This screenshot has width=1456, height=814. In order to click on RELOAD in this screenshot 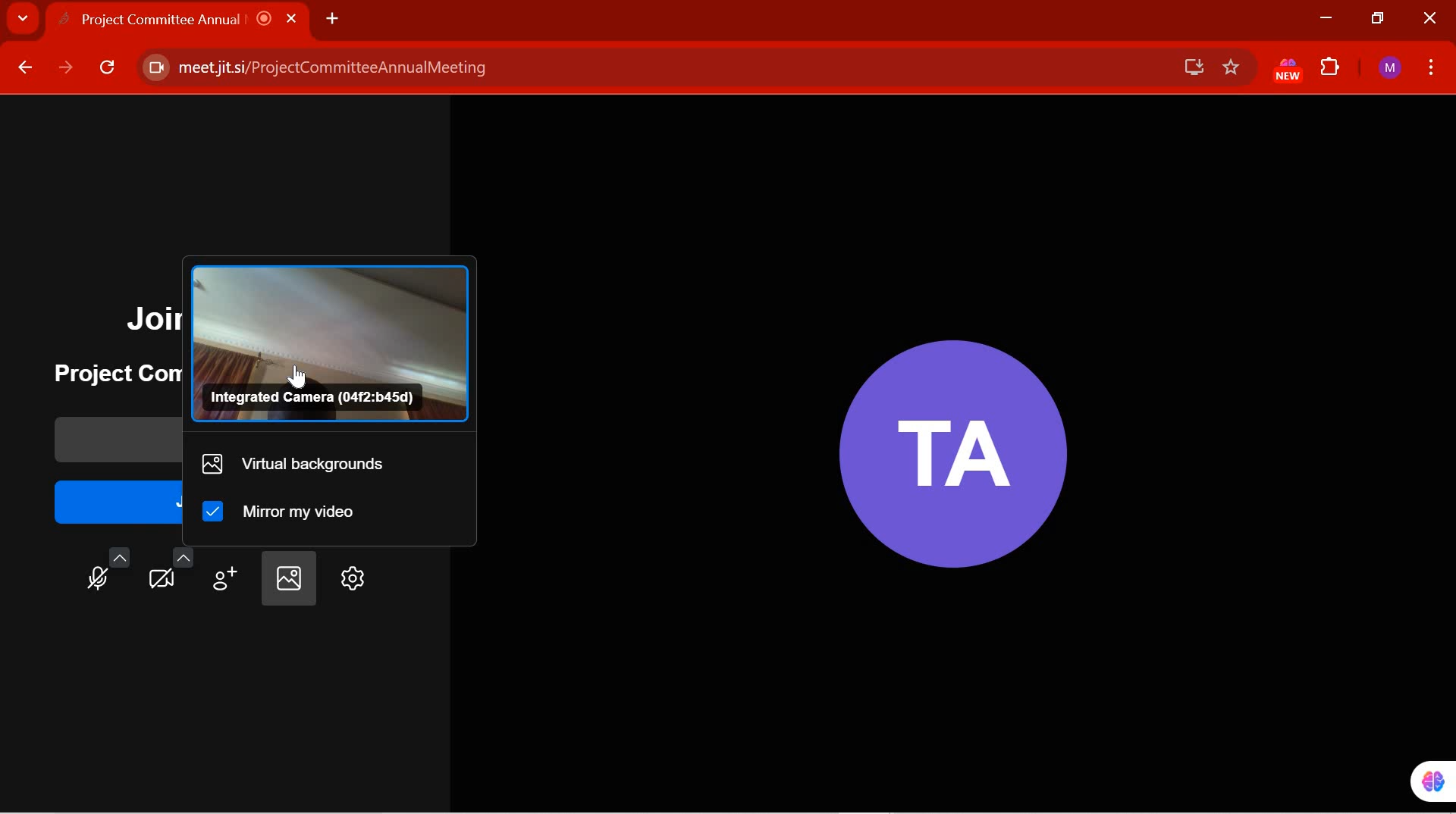, I will do `click(108, 70)`.